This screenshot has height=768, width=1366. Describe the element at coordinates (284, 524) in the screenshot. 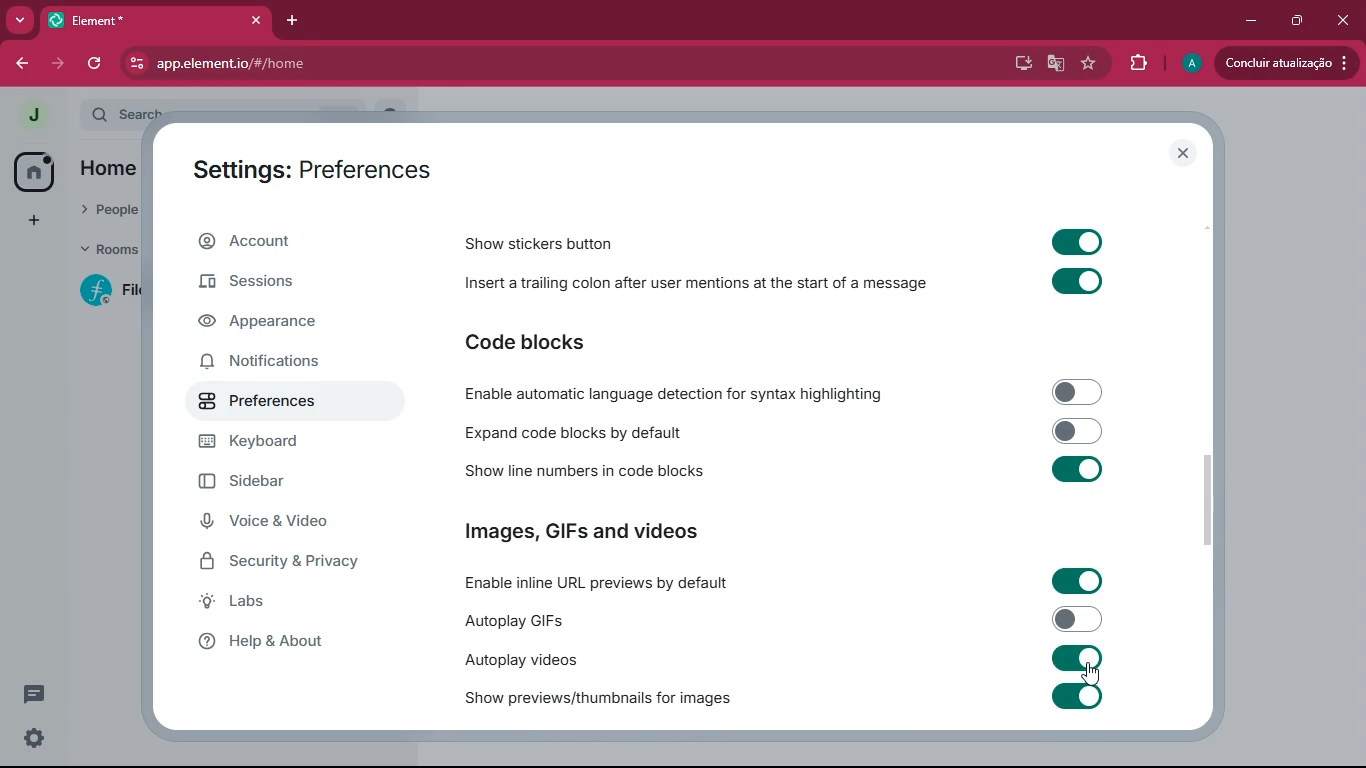

I see `voice` at that location.